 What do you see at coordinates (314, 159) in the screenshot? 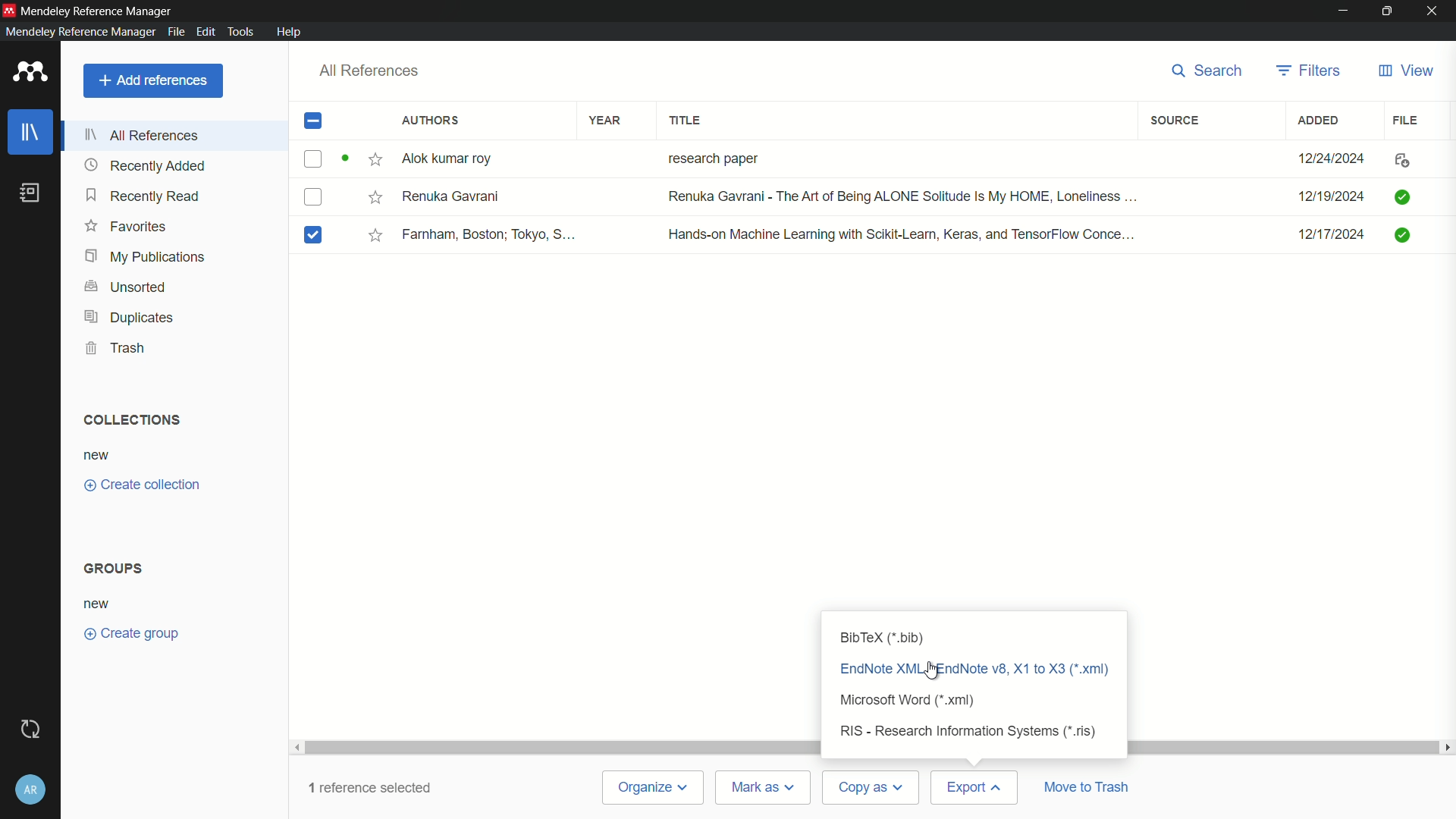
I see `checkbox` at bounding box center [314, 159].